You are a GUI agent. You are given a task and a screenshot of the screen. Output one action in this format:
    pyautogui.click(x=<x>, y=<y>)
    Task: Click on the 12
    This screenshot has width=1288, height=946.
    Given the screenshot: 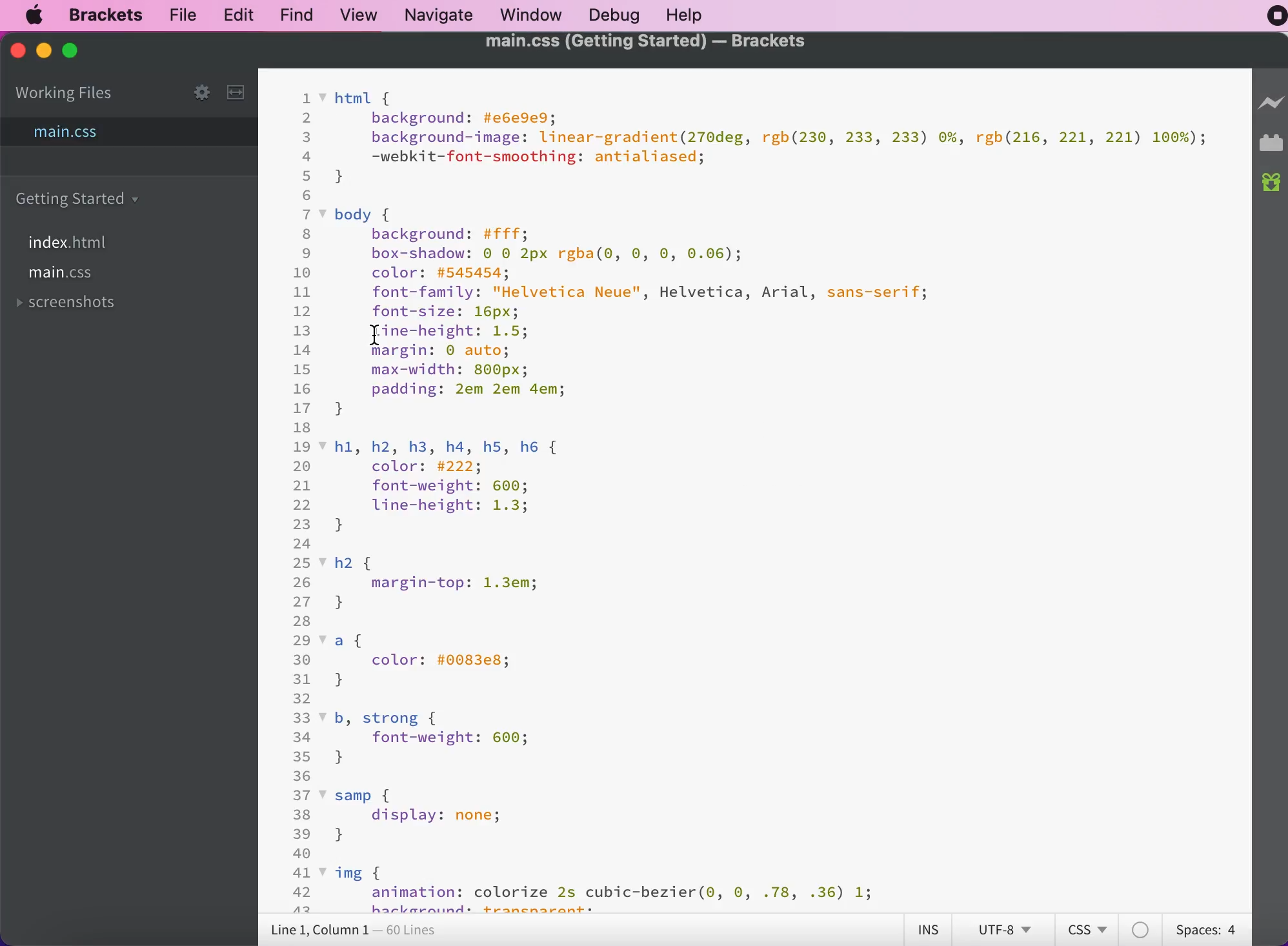 What is the action you would take?
    pyautogui.click(x=302, y=312)
    